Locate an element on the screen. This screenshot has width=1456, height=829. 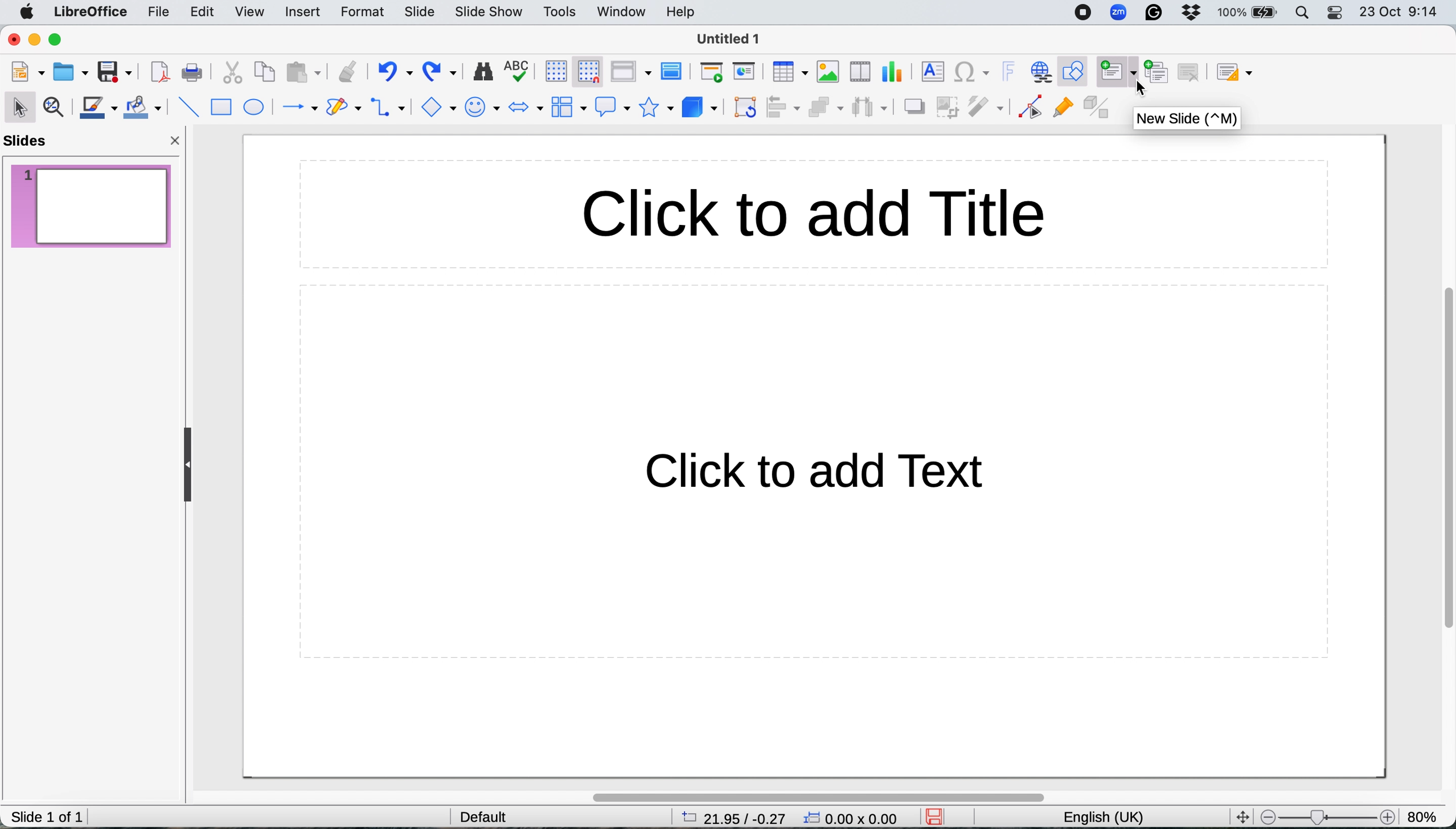
system logo is located at coordinates (26, 13).